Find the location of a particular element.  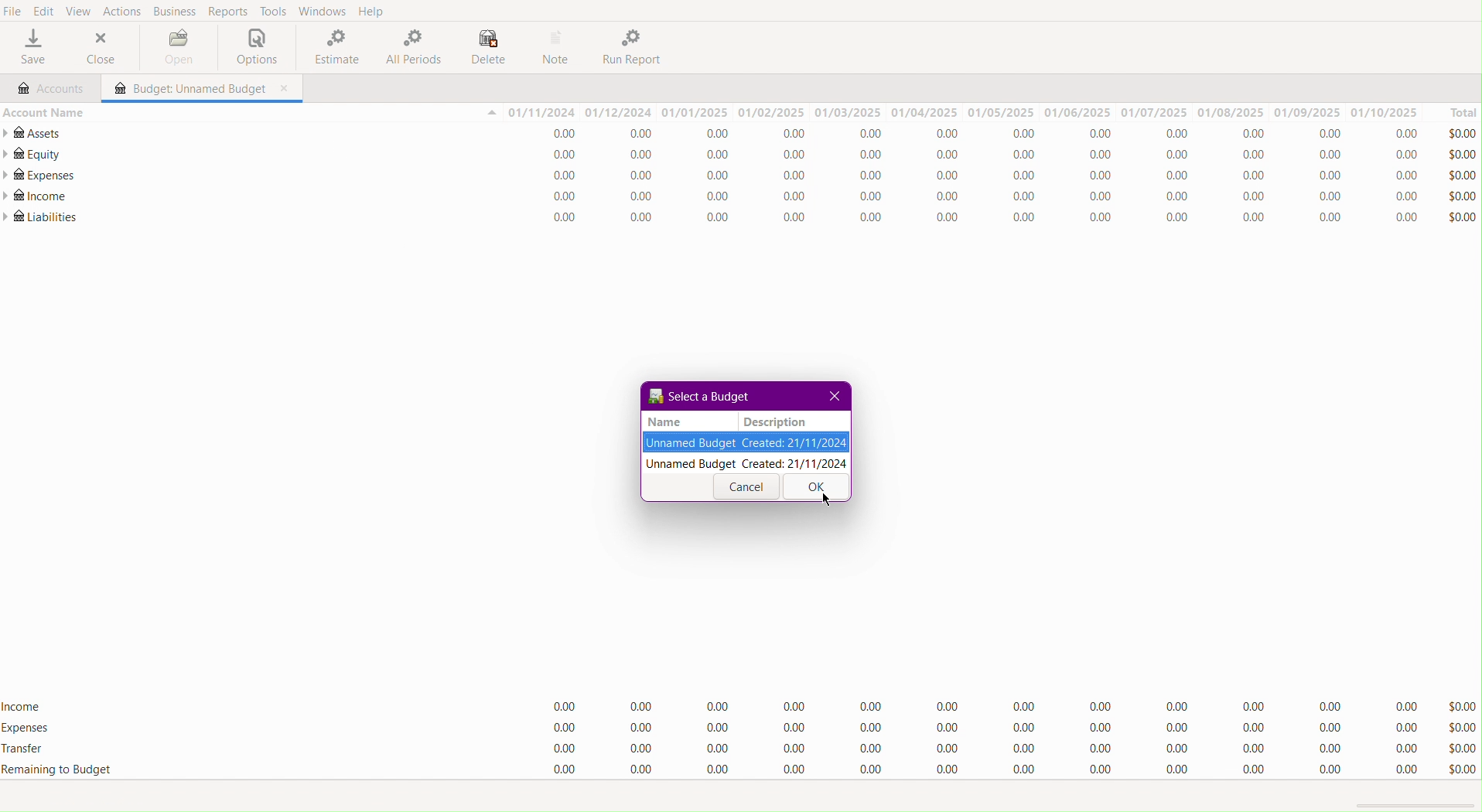

Open is located at coordinates (175, 46).